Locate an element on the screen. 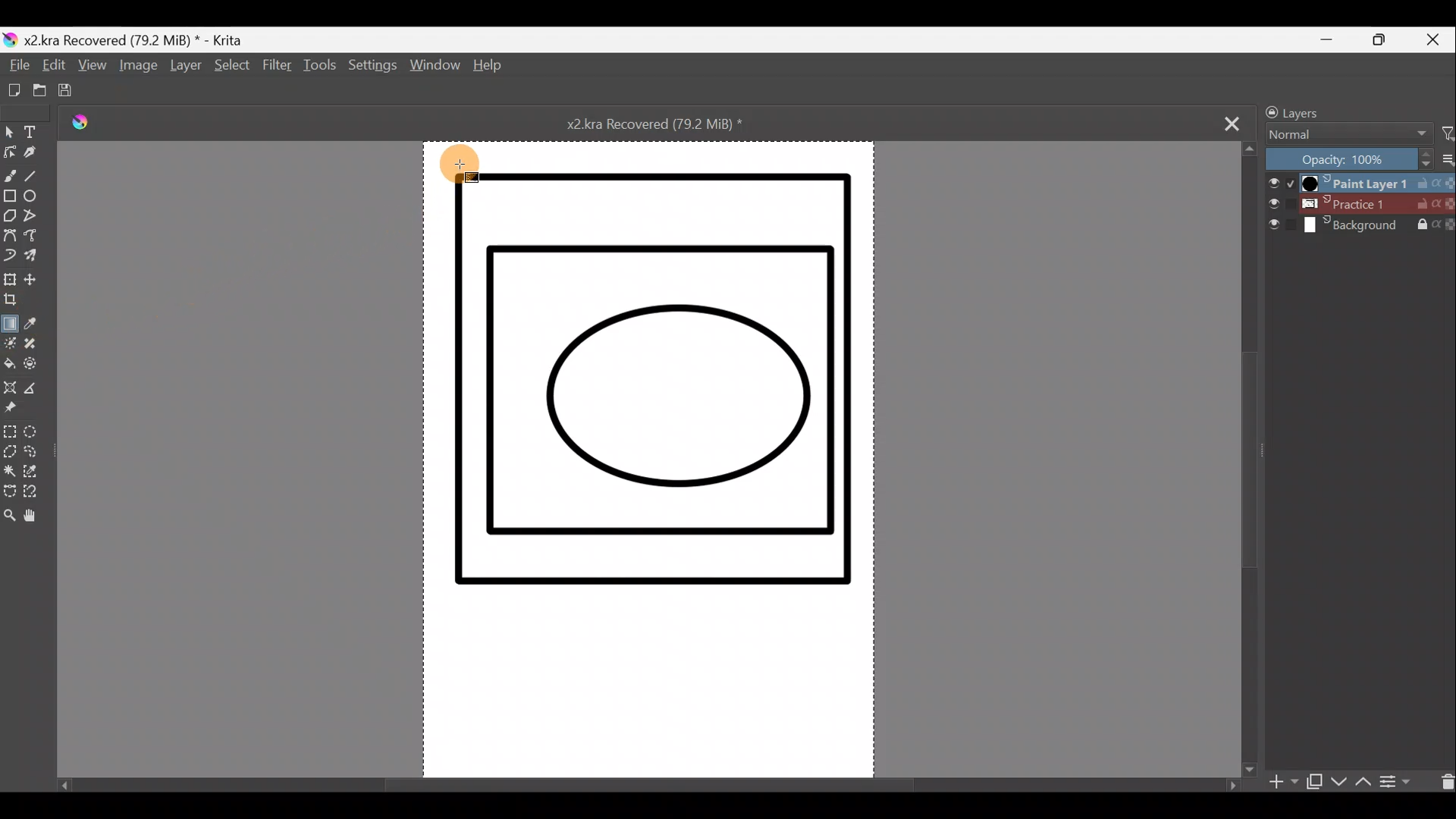  Line tool is located at coordinates (34, 178).